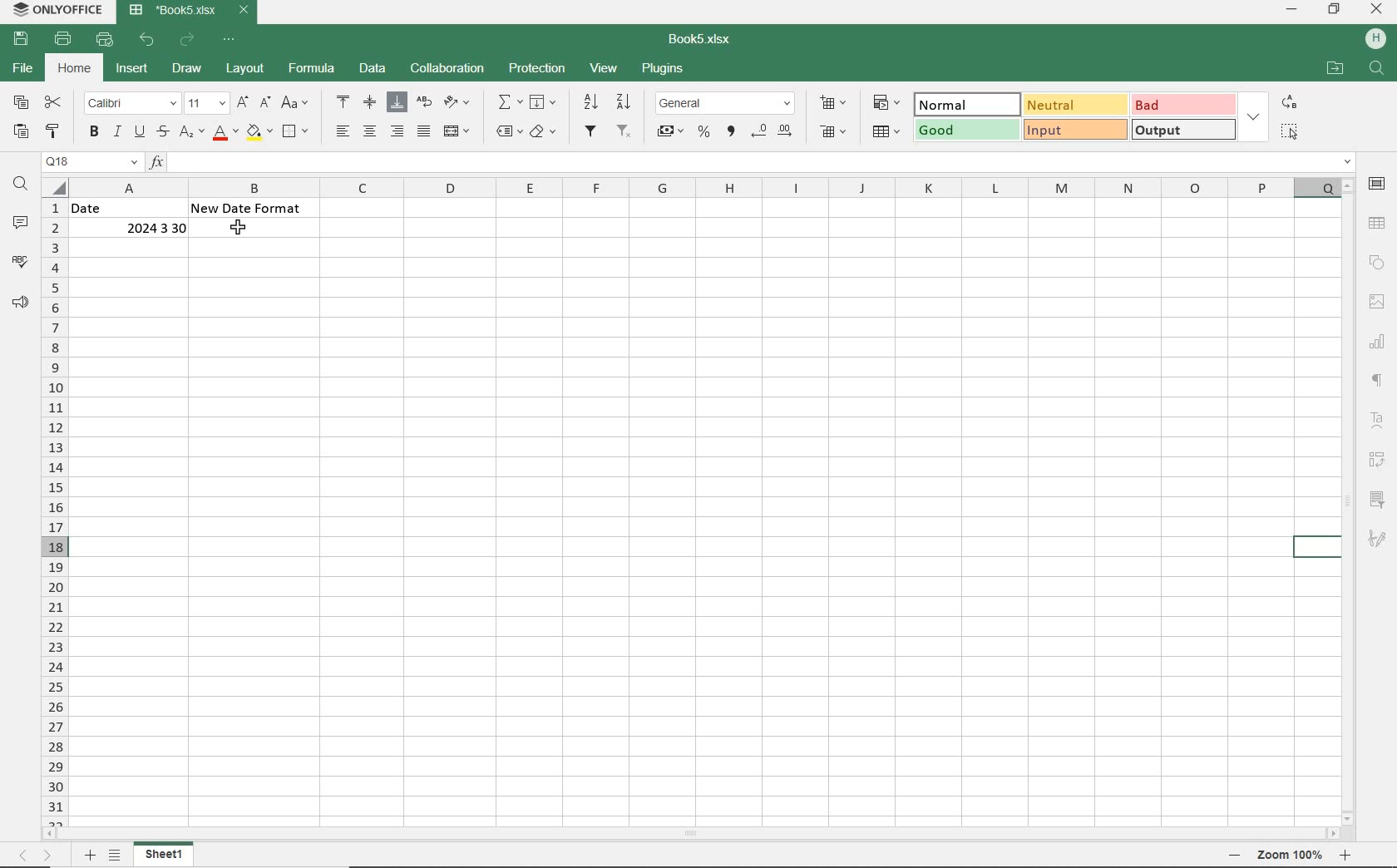 The height and width of the screenshot is (868, 1397). What do you see at coordinates (188, 39) in the screenshot?
I see `REDO` at bounding box center [188, 39].